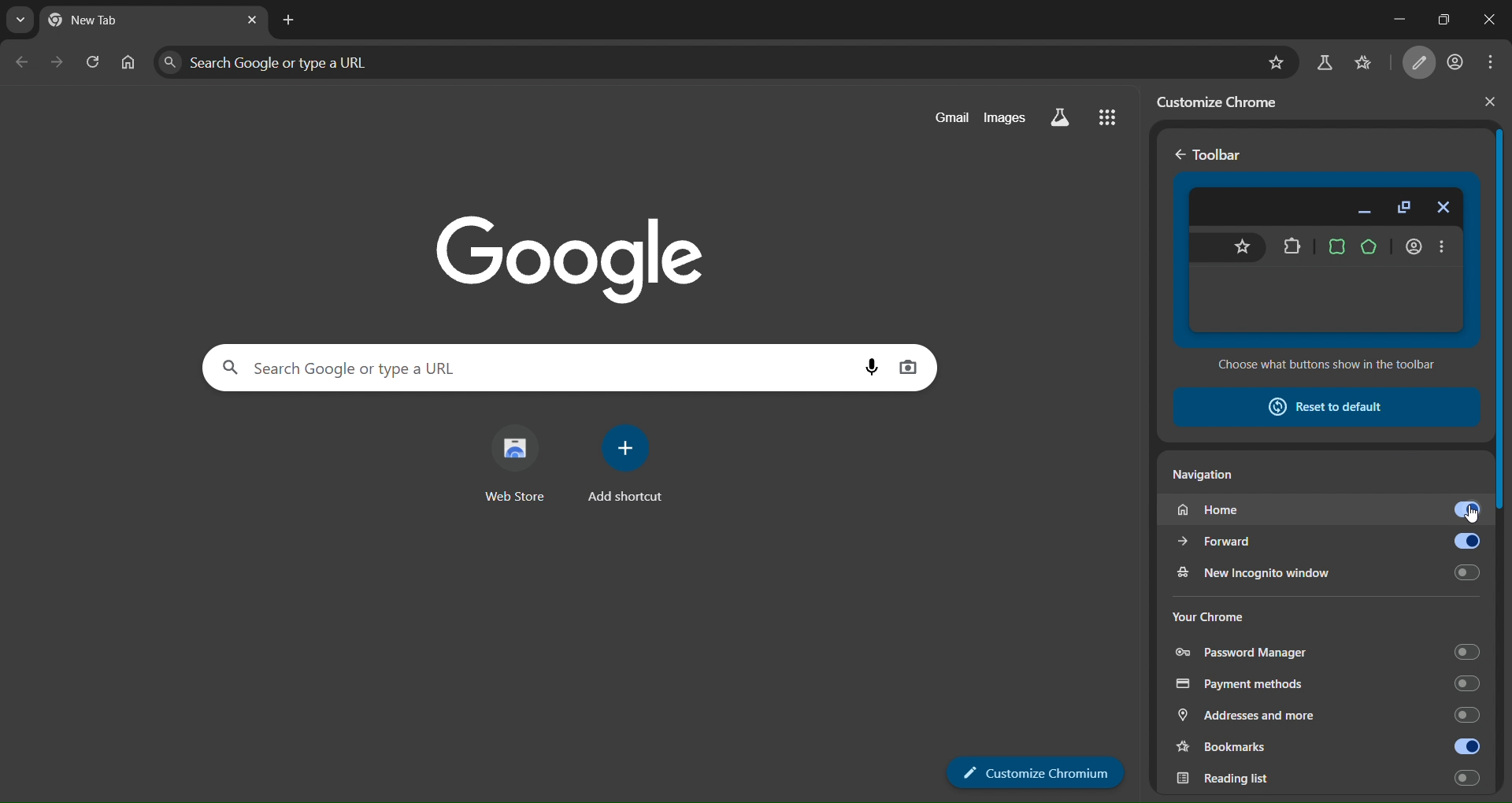  I want to click on close, so click(1490, 20).